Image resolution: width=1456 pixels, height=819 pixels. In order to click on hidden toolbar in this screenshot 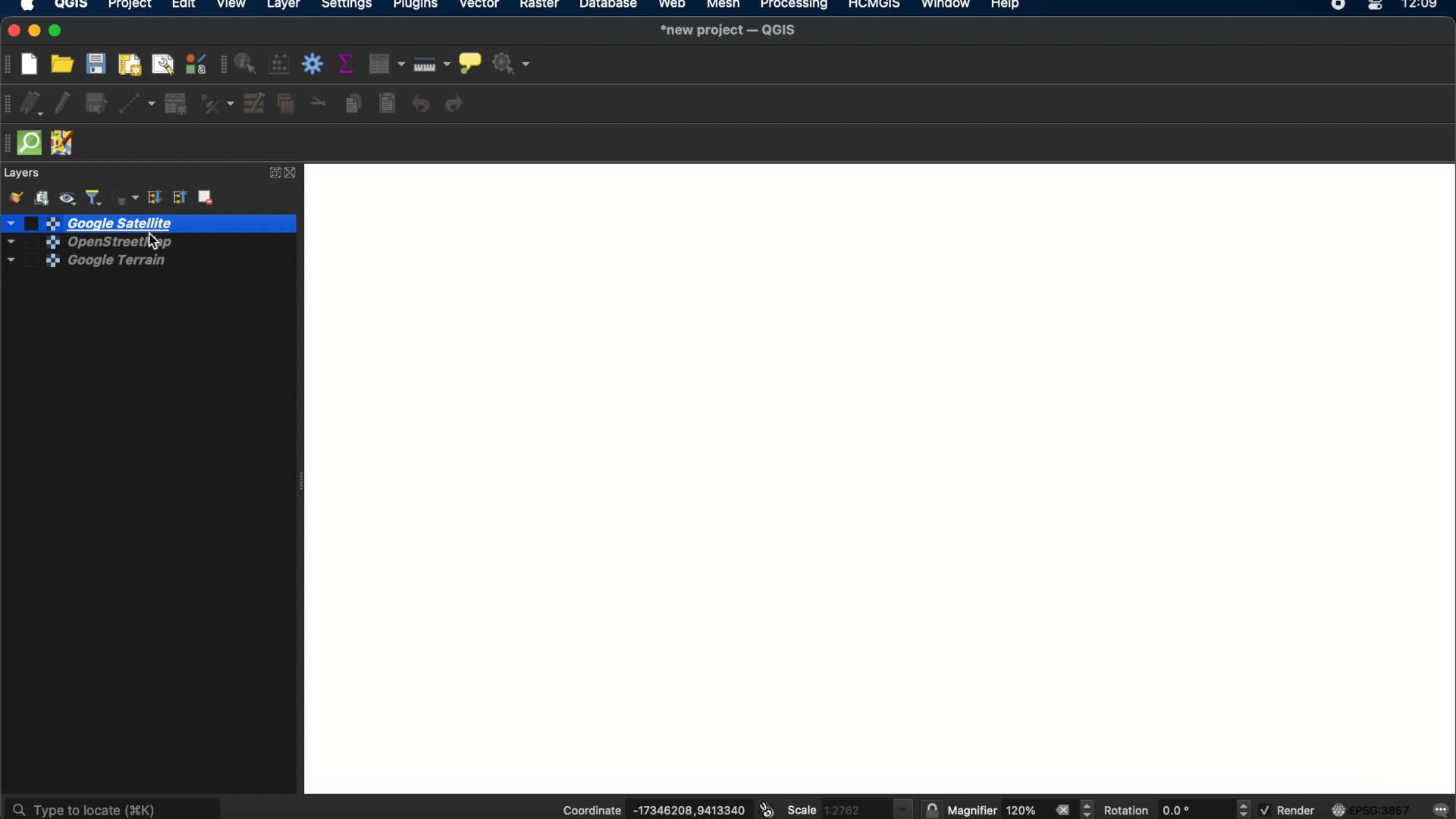, I will do `click(9, 143)`.